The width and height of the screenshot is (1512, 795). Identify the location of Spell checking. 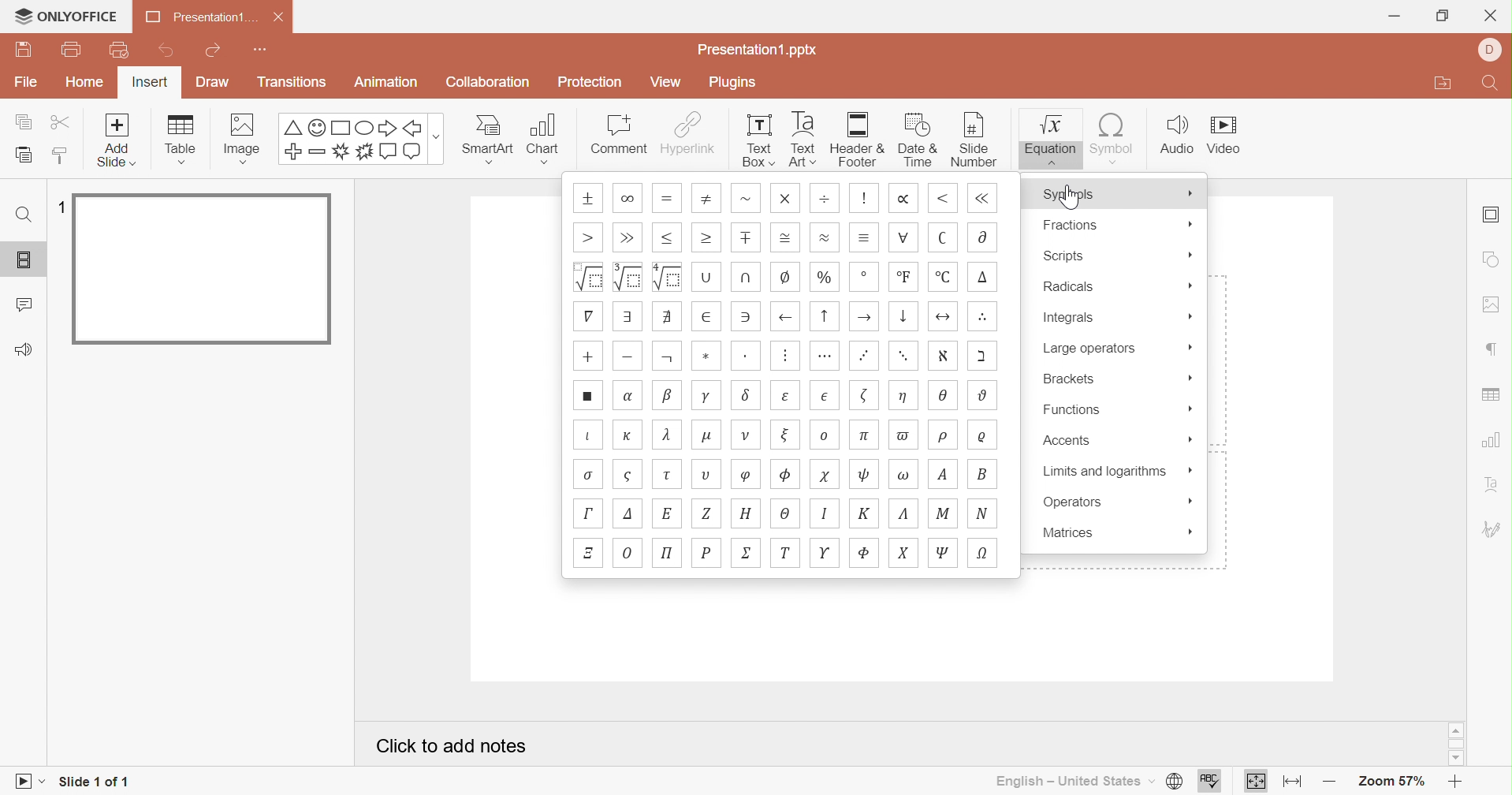
(1208, 782).